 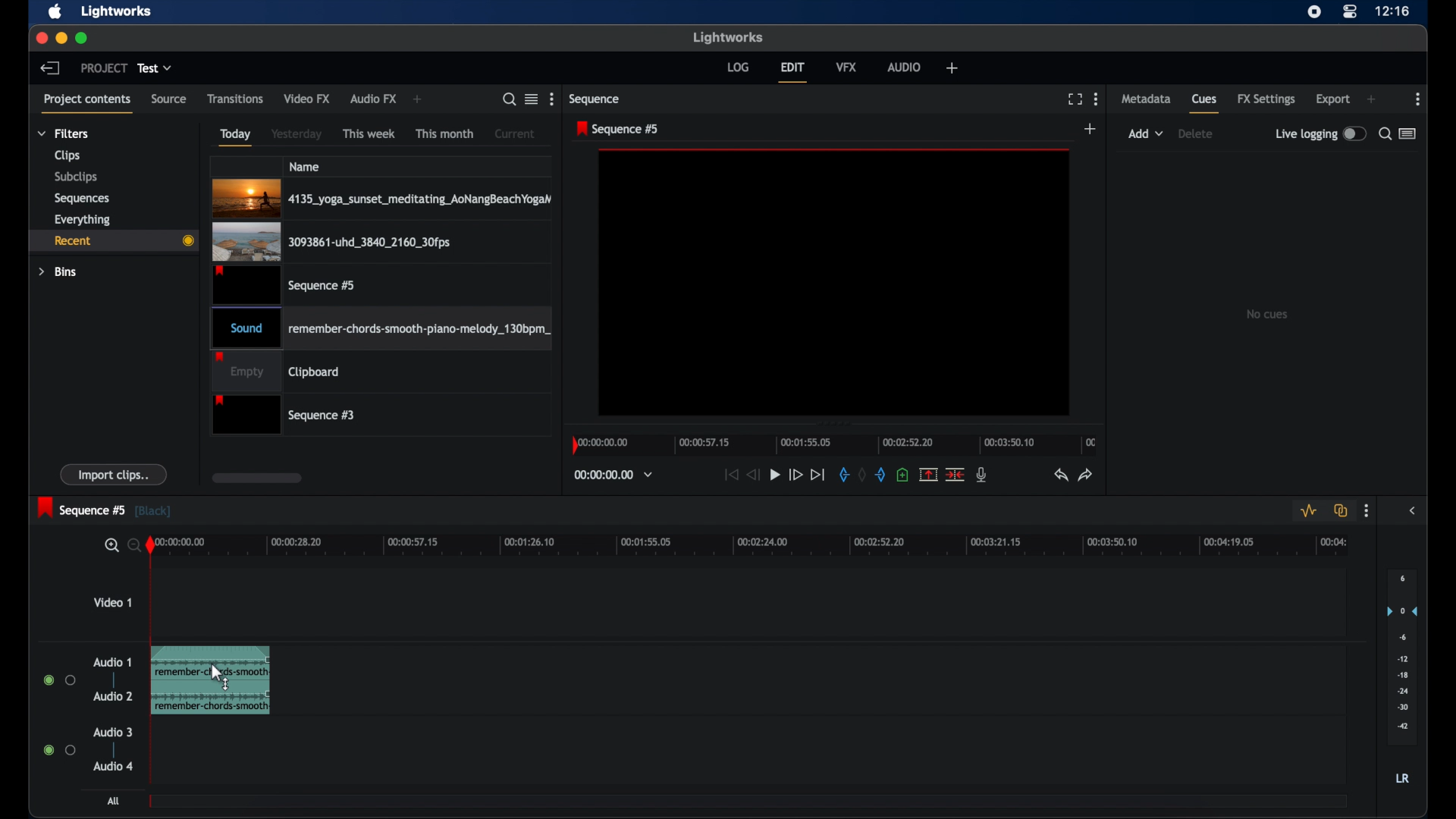 What do you see at coordinates (1366, 511) in the screenshot?
I see `more options` at bounding box center [1366, 511].